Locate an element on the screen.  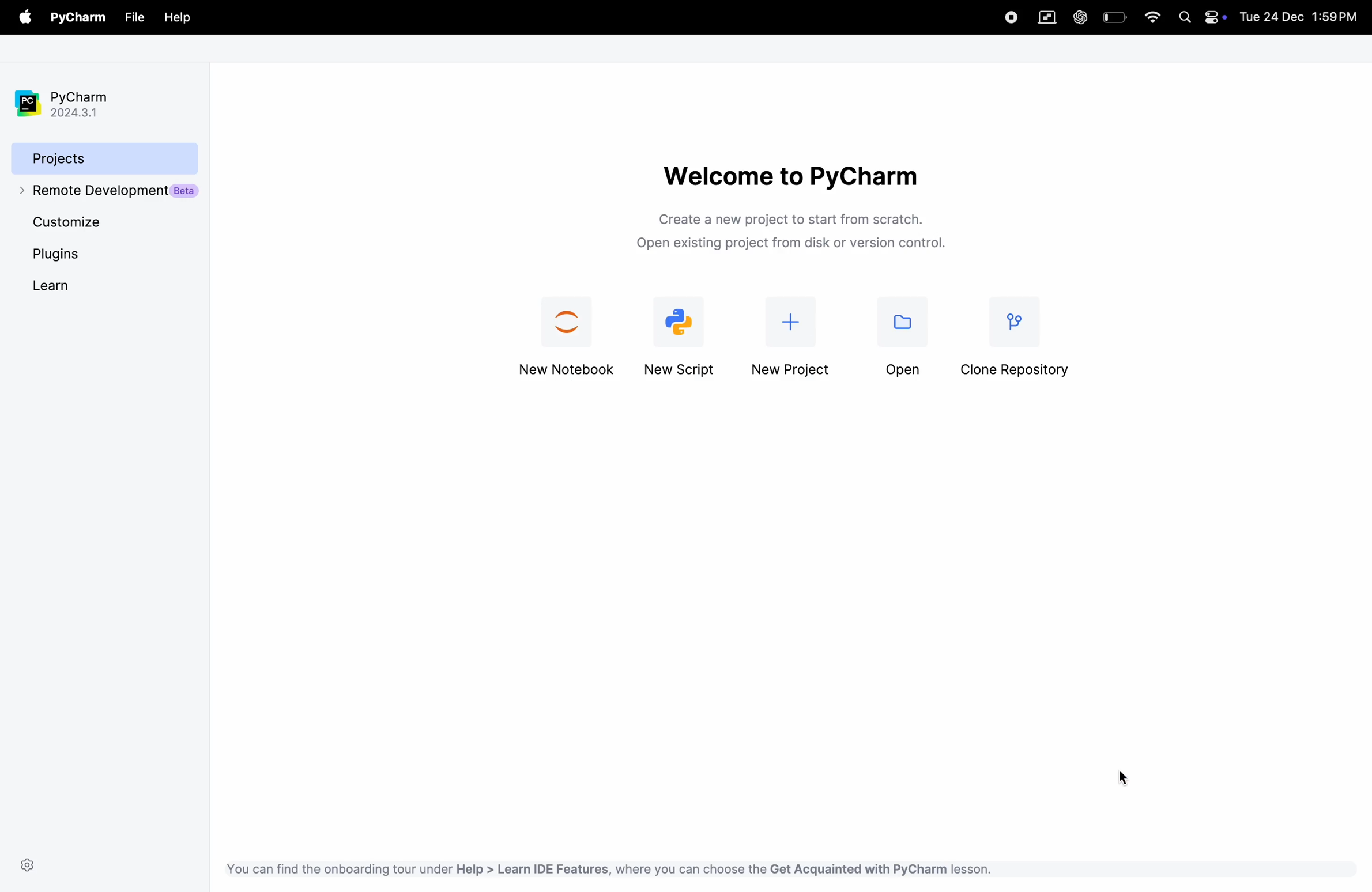
Customize is located at coordinates (74, 225).